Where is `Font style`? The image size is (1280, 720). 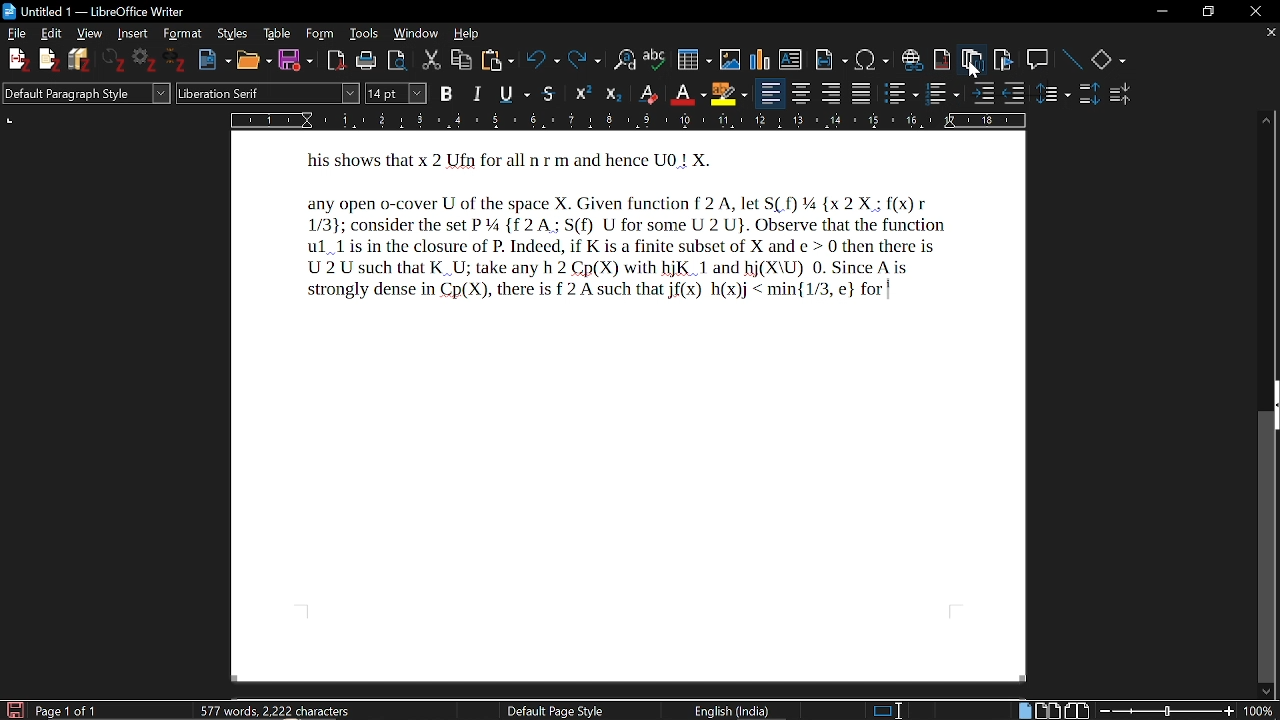
Font style is located at coordinates (268, 94).